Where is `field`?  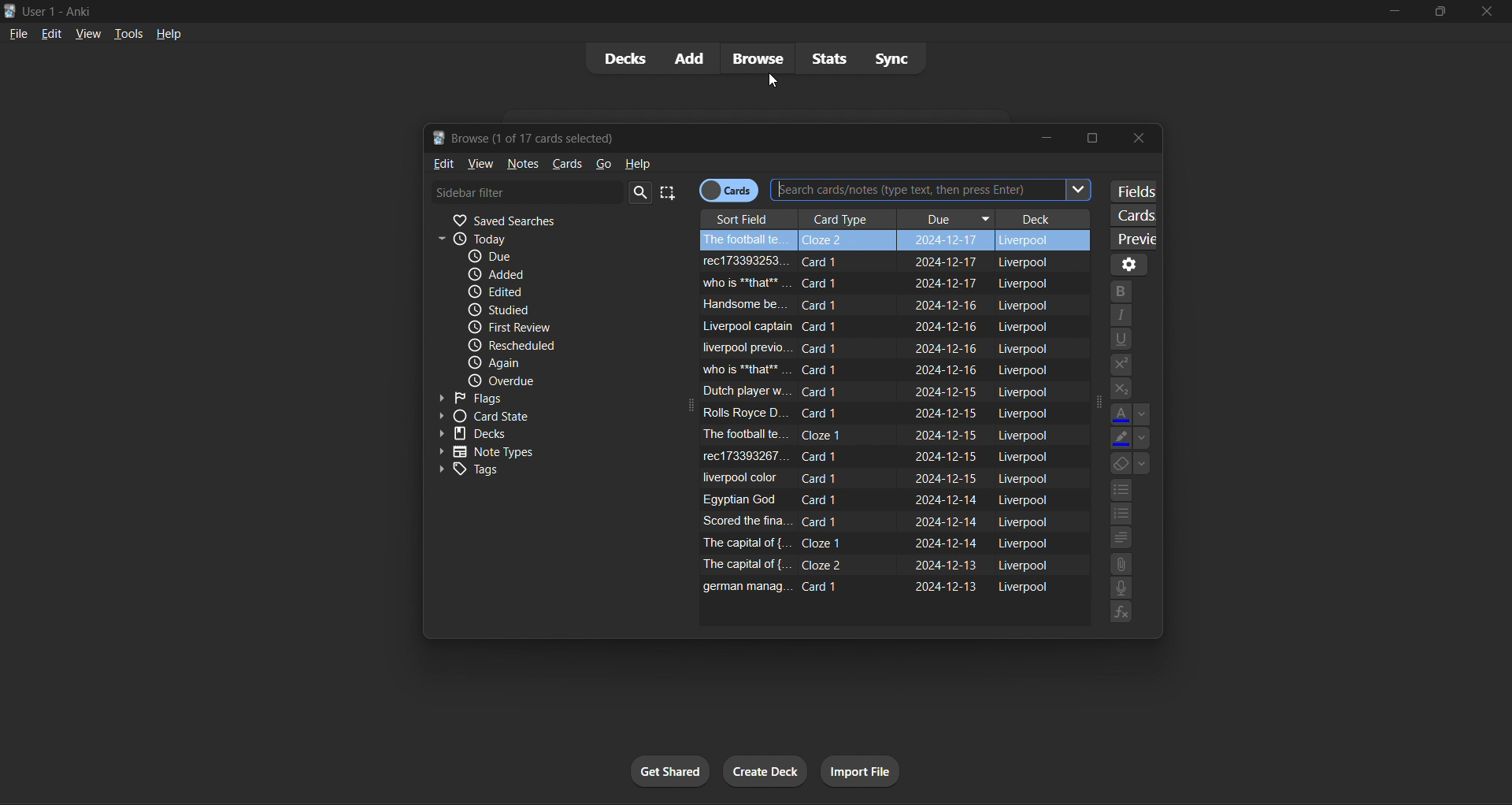 field is located at coordinates (746, 521).